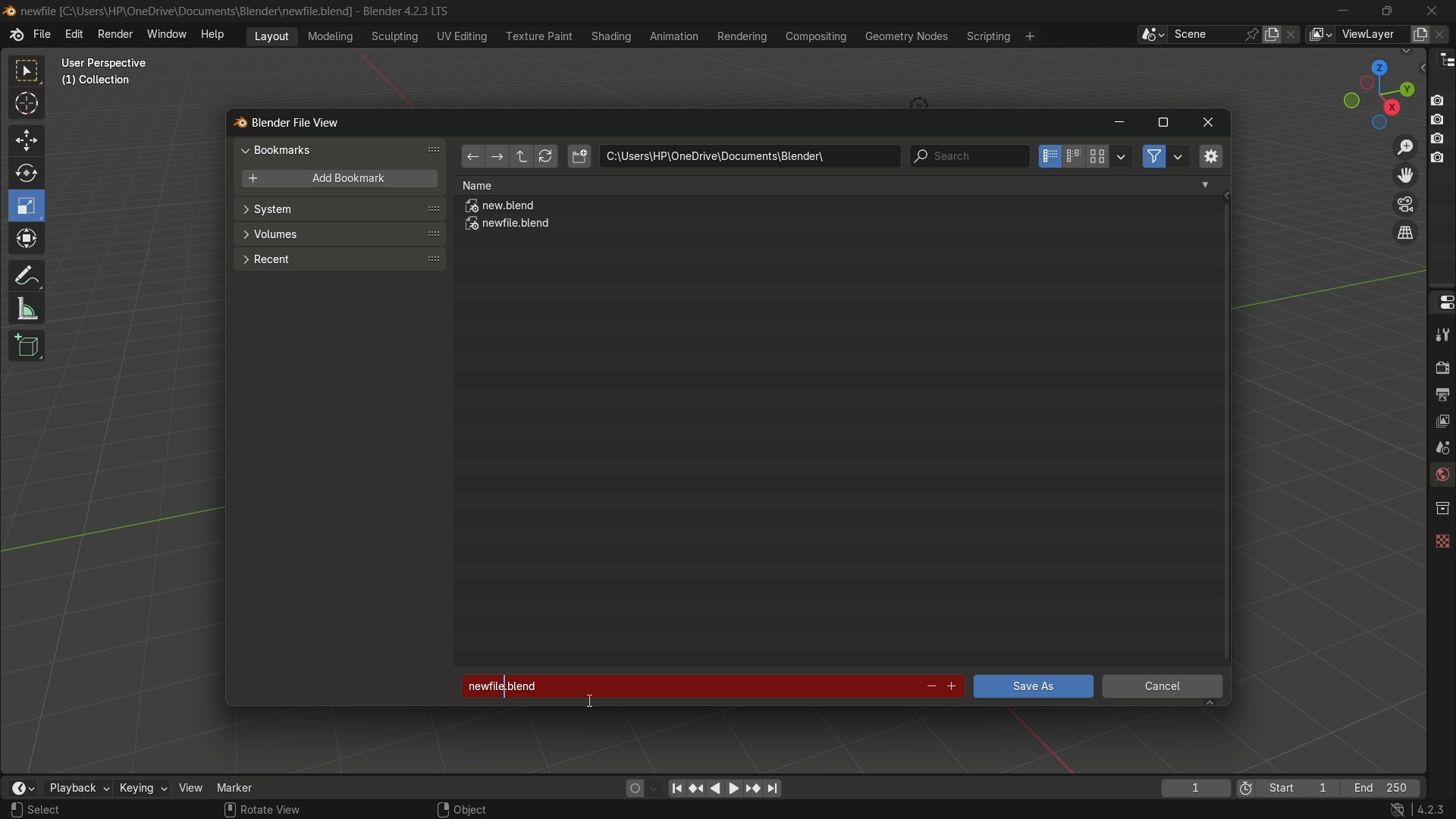 This screenshot has width=1456, height=819. Describe the element at coordinates (725, 788) in the screenshot. I see `play animation` at that location.